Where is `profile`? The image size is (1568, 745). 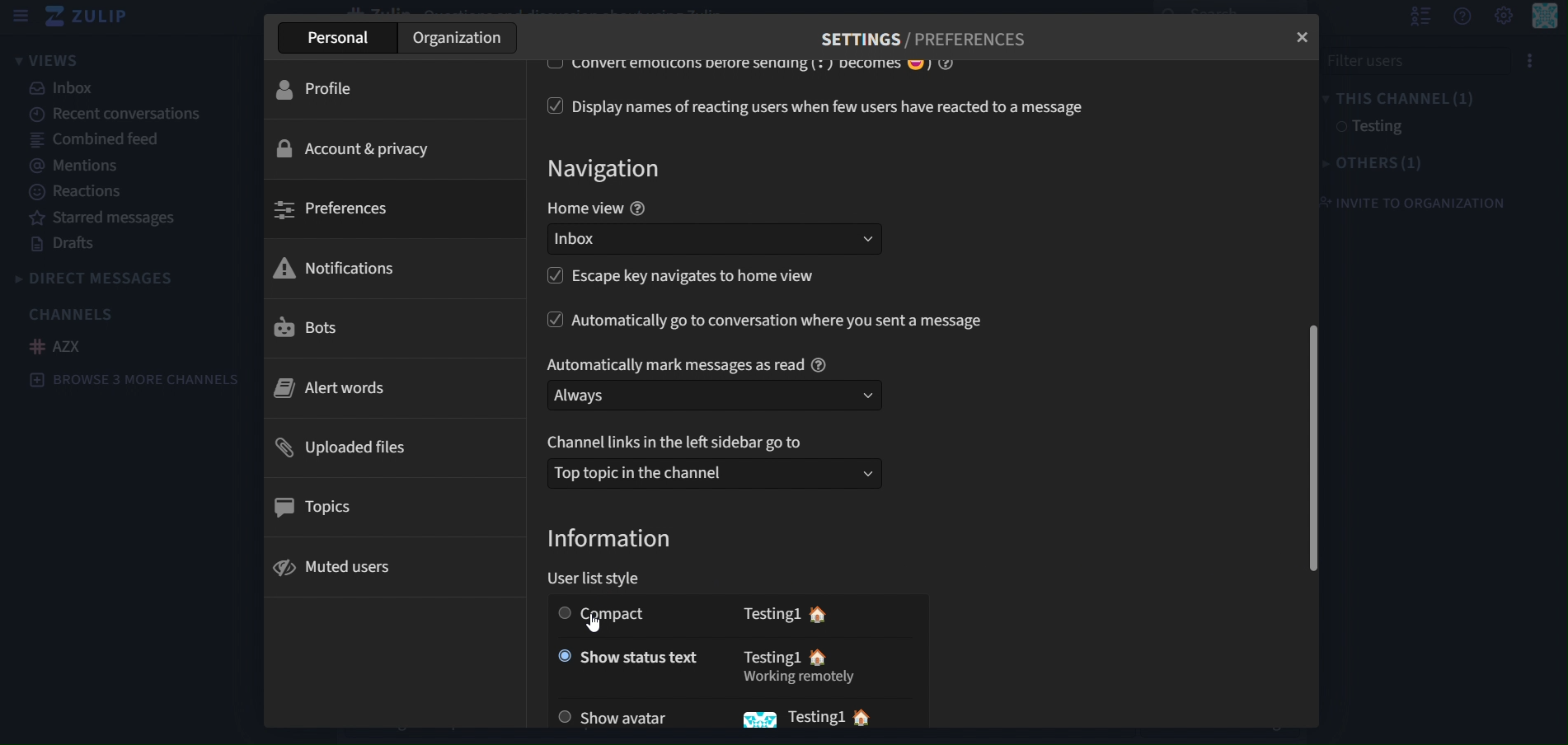
profile is located at coordinates (327, 87).